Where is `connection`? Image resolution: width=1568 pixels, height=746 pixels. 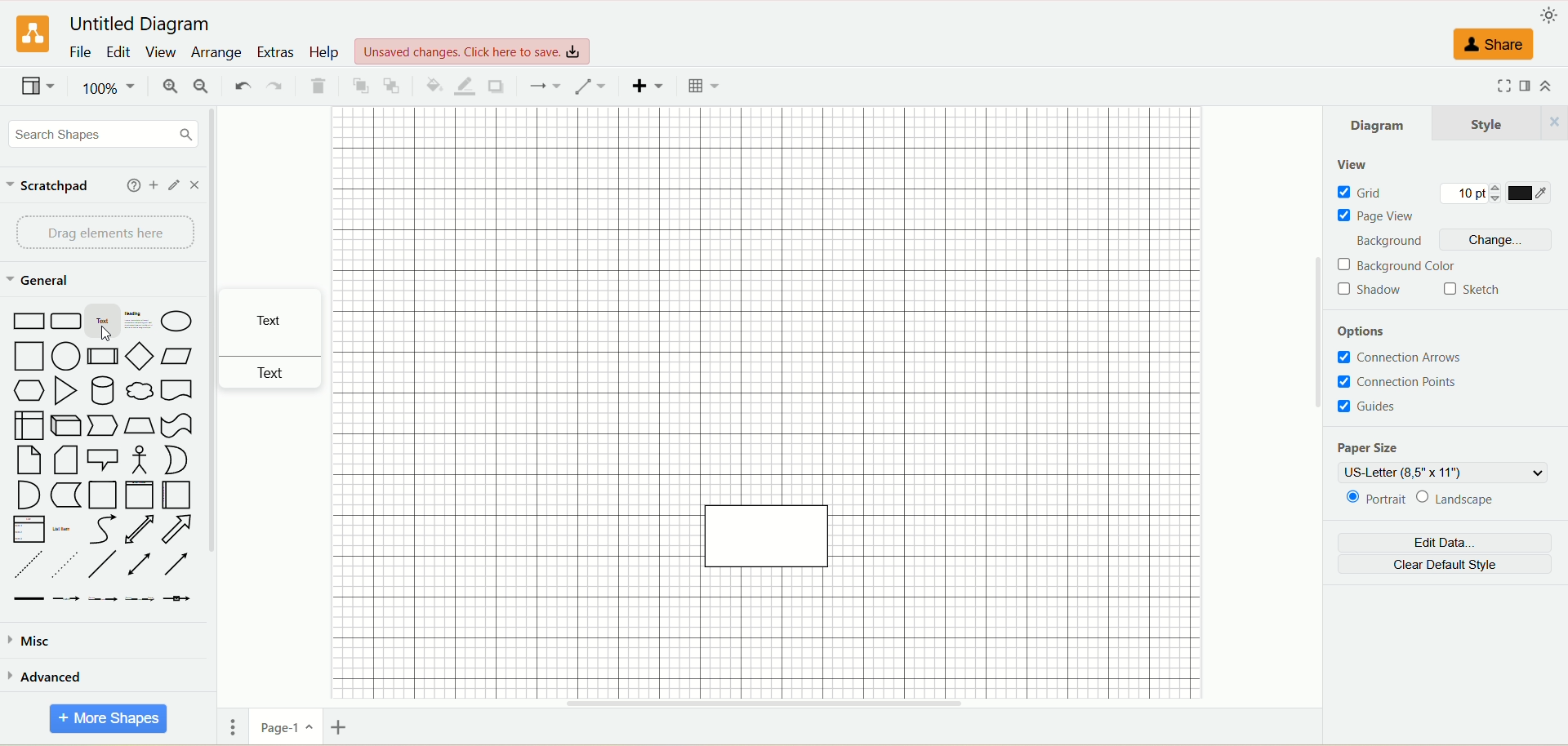 connection is located at coordinates (546, 85).